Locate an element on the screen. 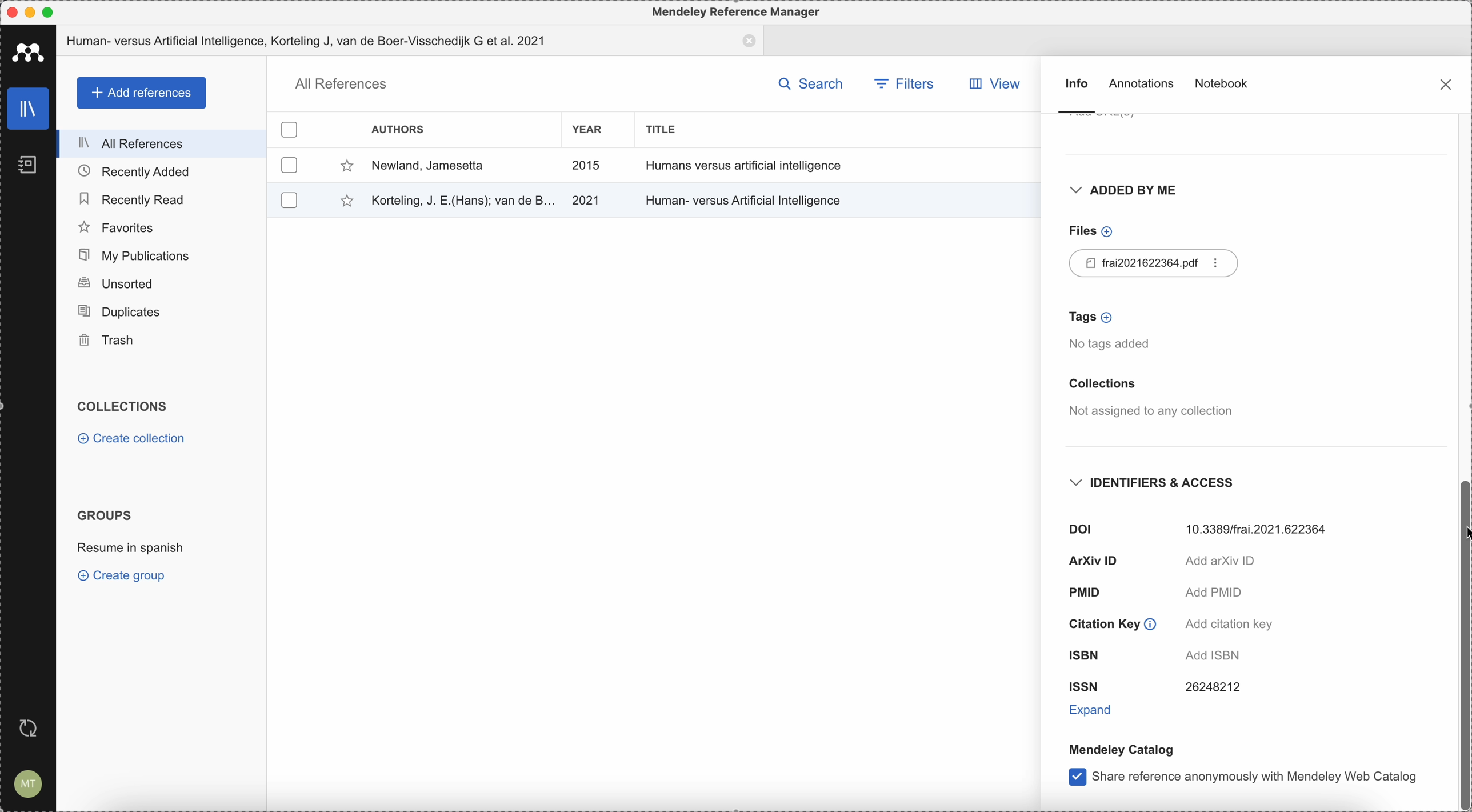  collections not assigned to any collection is located at coordinates (1149, 399).